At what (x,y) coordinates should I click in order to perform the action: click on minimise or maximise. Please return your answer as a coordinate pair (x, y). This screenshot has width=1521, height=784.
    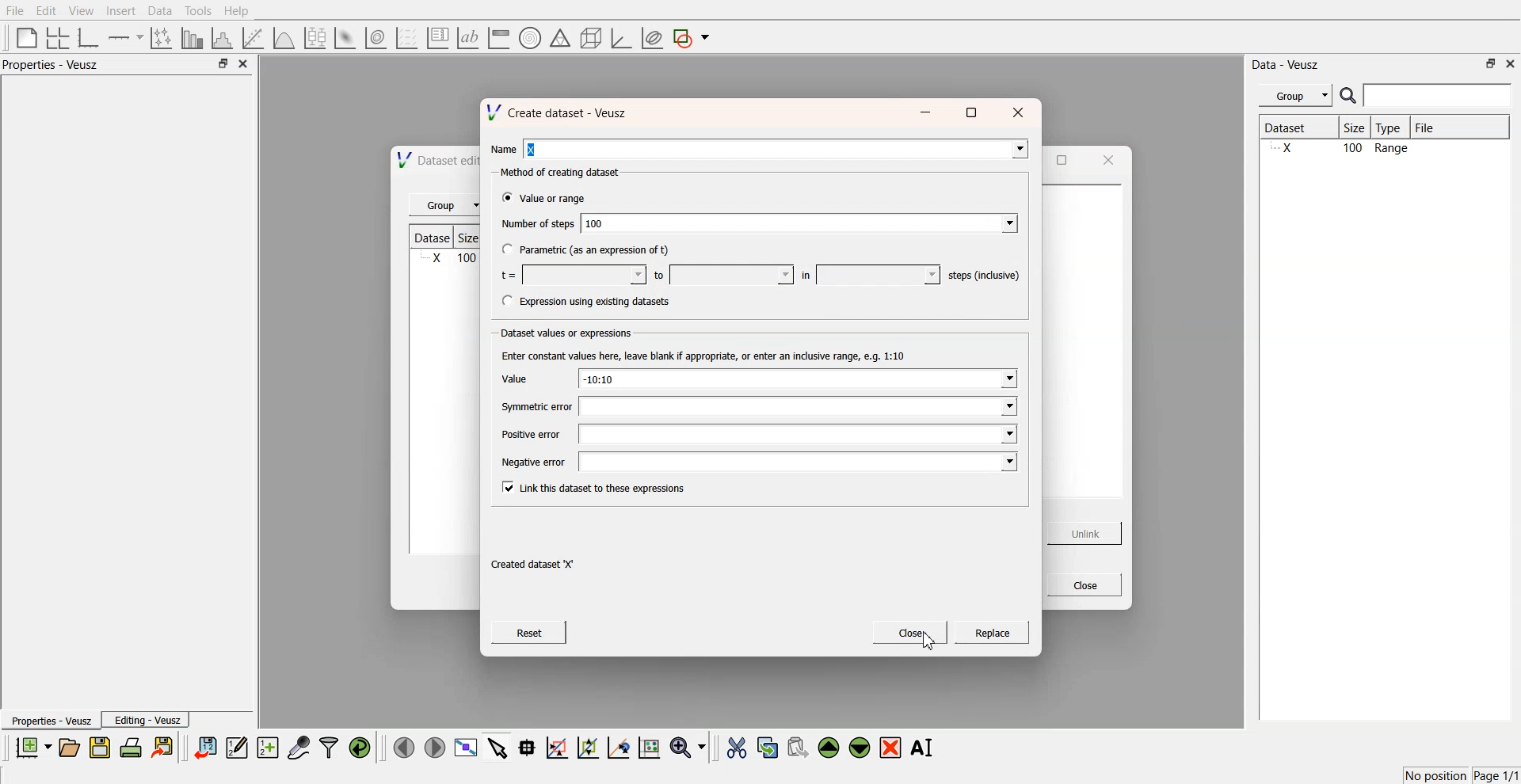
    Looking at the image, I should click on (1491, 63).